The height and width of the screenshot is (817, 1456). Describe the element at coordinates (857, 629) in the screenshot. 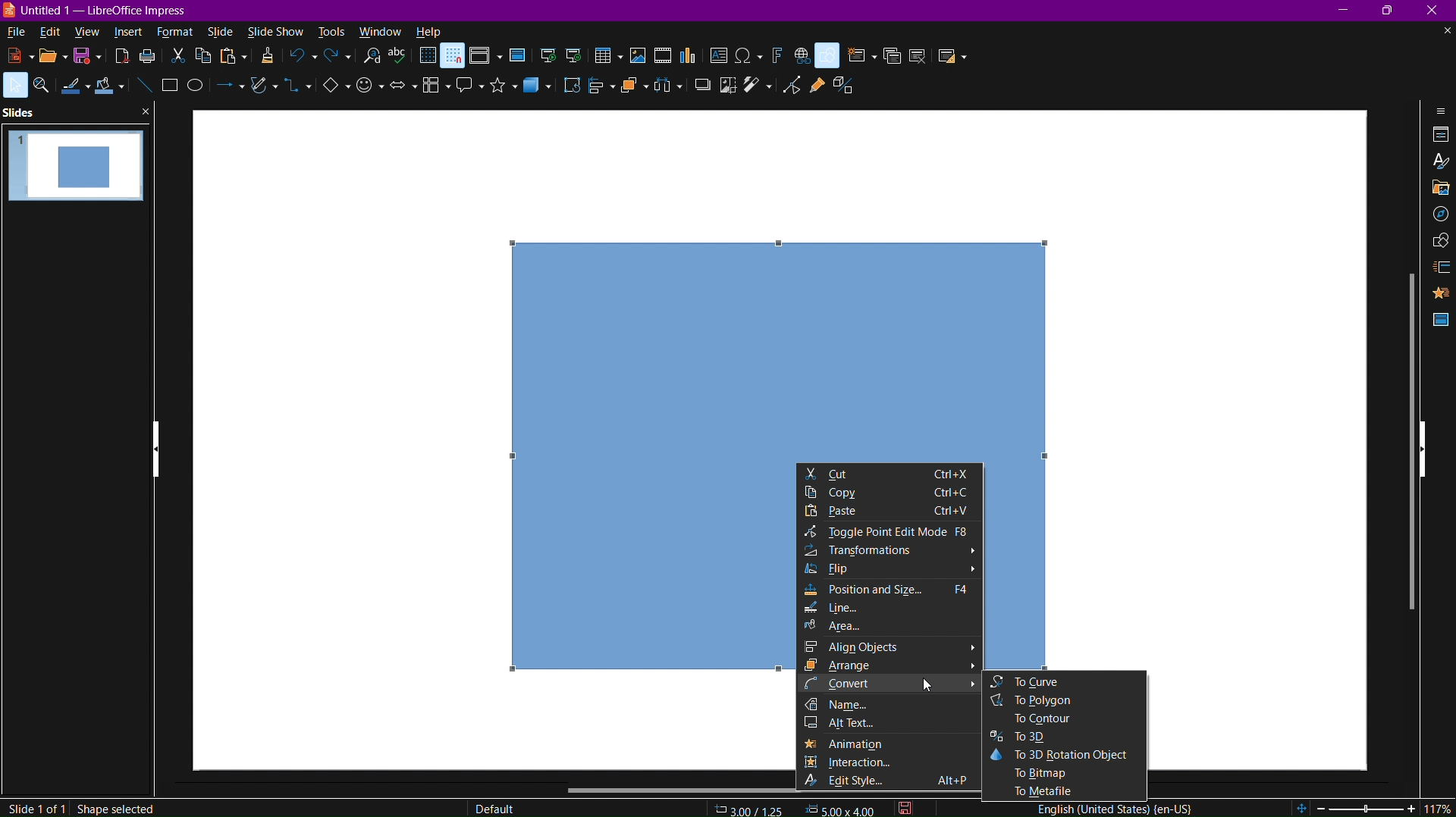

I see `Area` at that location.